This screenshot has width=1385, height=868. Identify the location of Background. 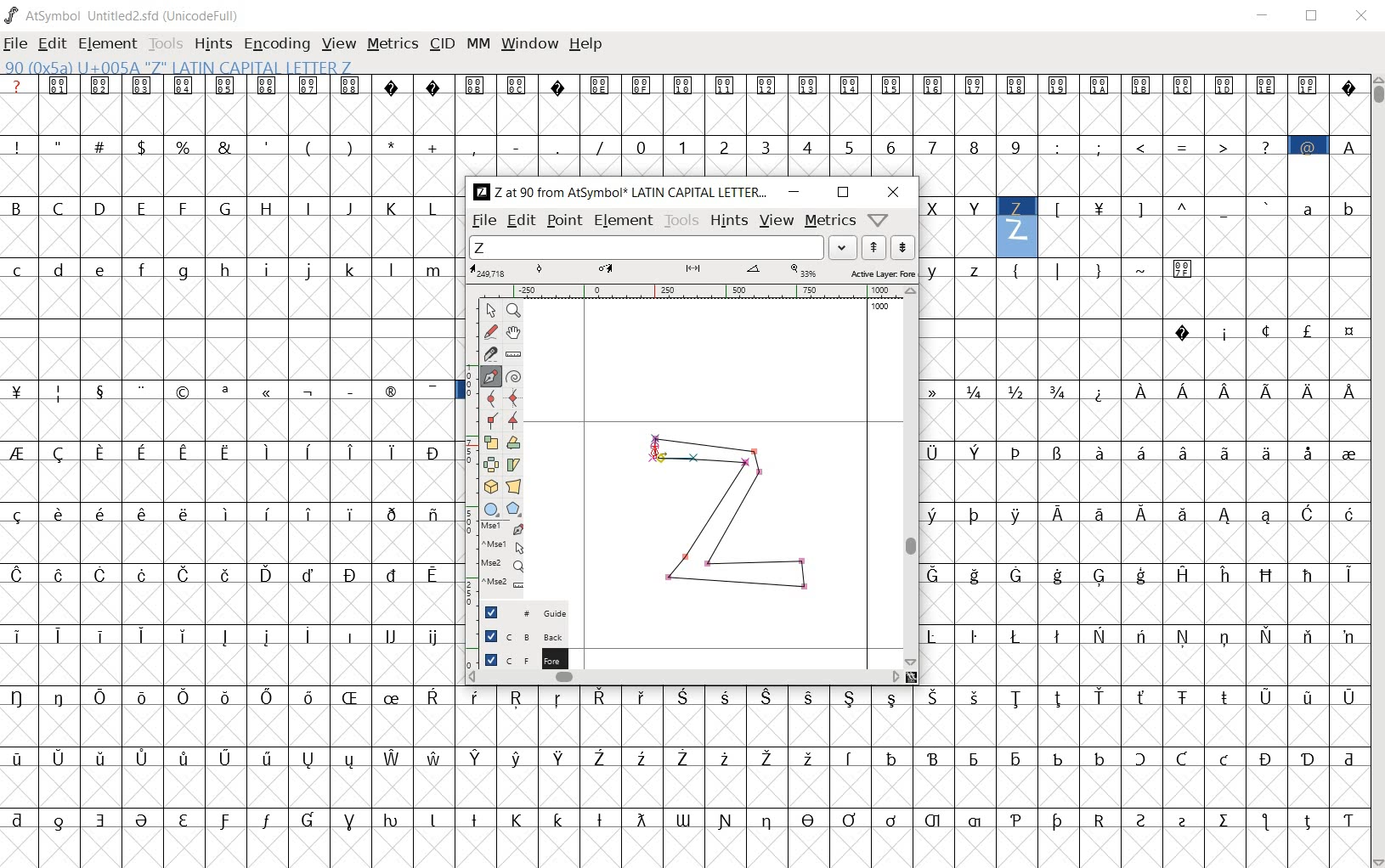
(517, 635).